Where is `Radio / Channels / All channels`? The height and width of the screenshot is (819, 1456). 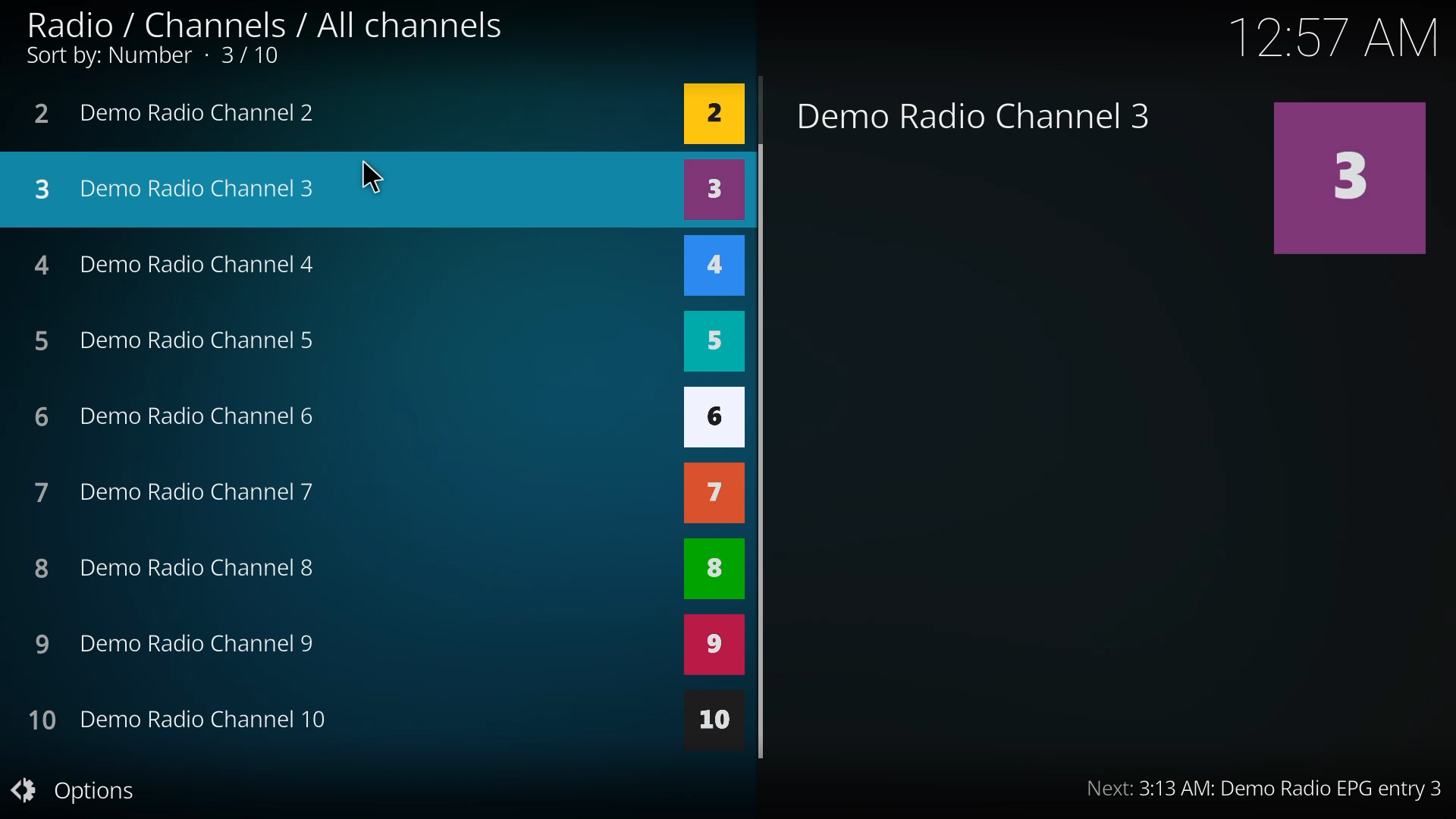
Radio / Channels / All channels is located at coordinates (265, 22).